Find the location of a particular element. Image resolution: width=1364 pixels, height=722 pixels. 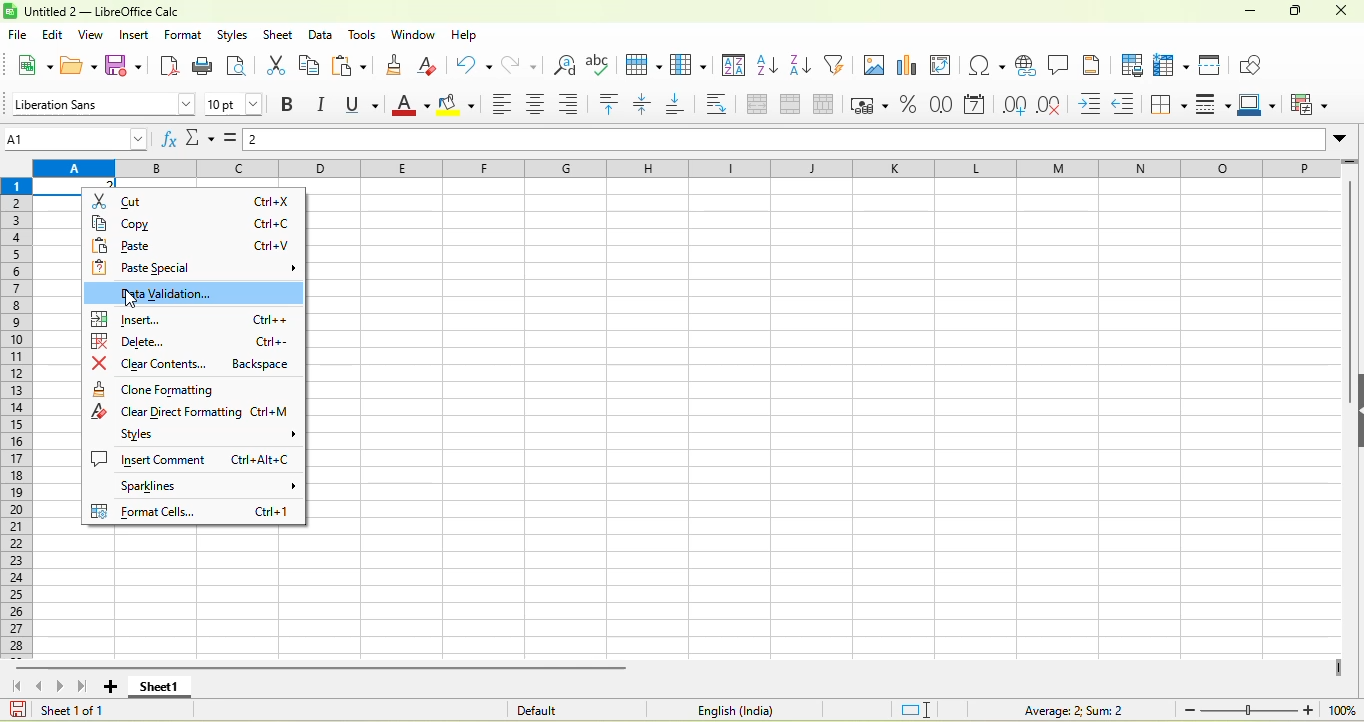

format as date is located at coordinates (976, 106).